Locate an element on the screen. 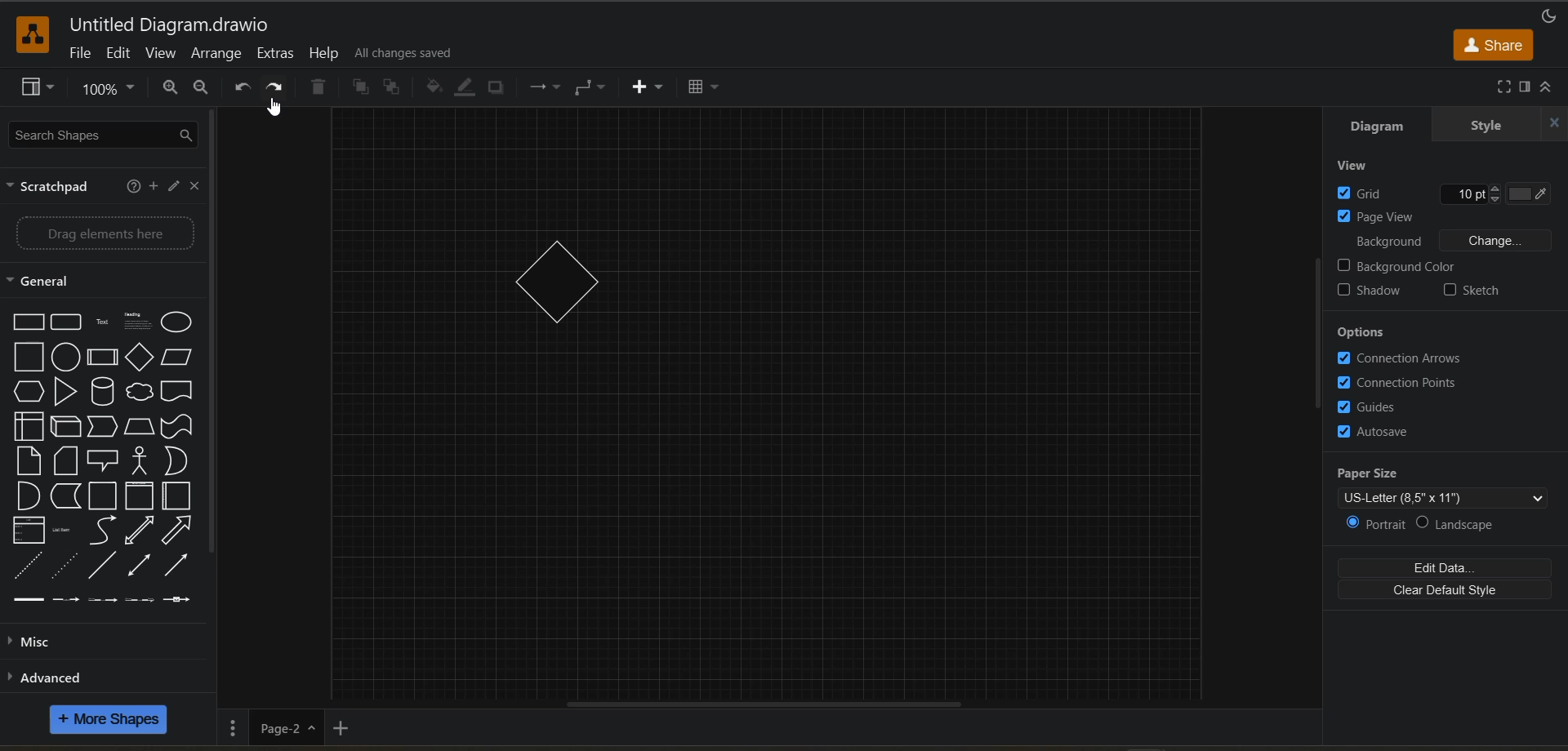 The image size is (1568, 751). general is located at coordinates (43, 282).